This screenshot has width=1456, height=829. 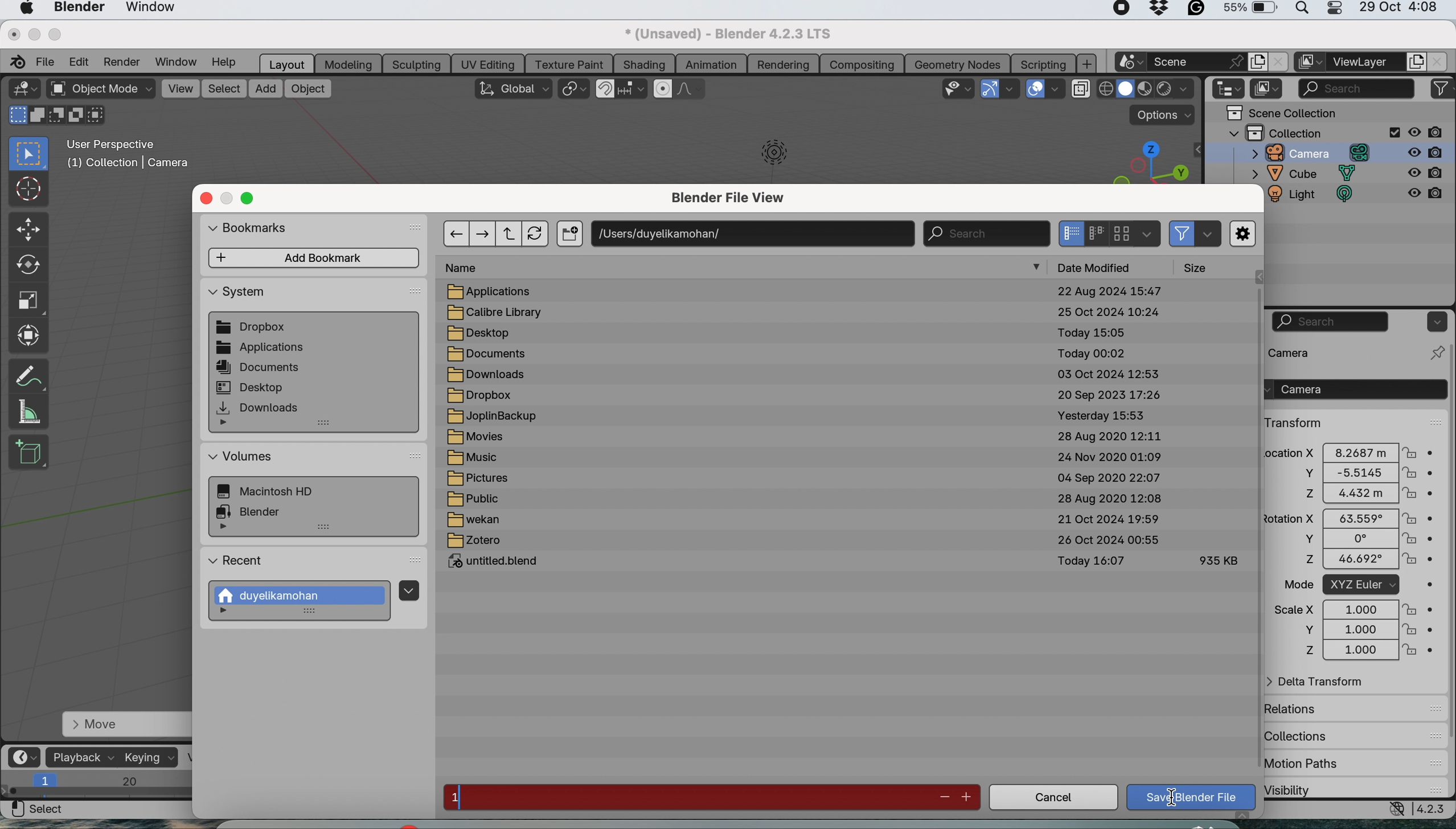 I want to click on cursor, so click(x=27, y=188).